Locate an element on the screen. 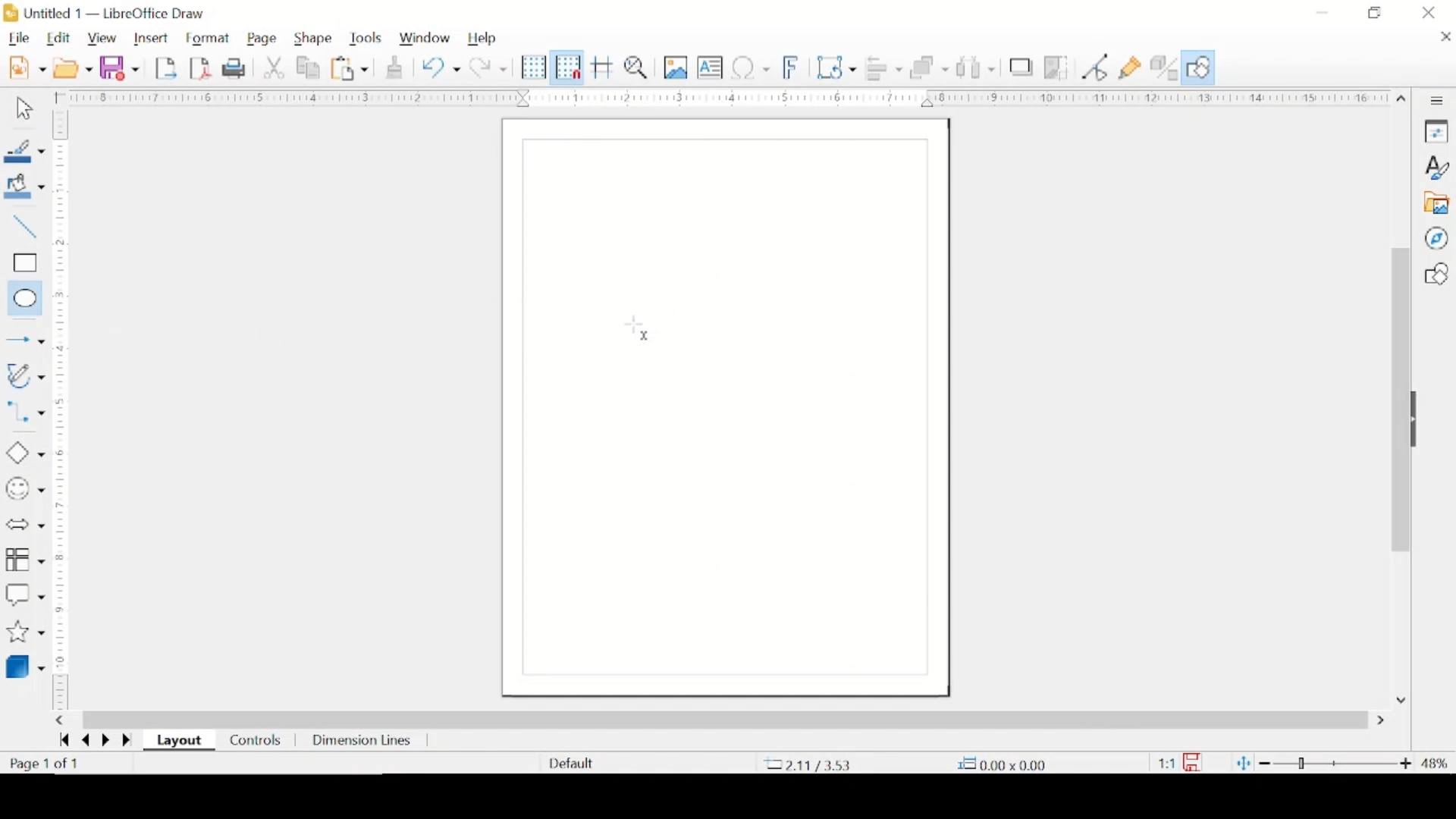 The width and height of the screenshot is (1456, 819). untitled 1 - libreoffice draw is located at coordinates (108, 13).